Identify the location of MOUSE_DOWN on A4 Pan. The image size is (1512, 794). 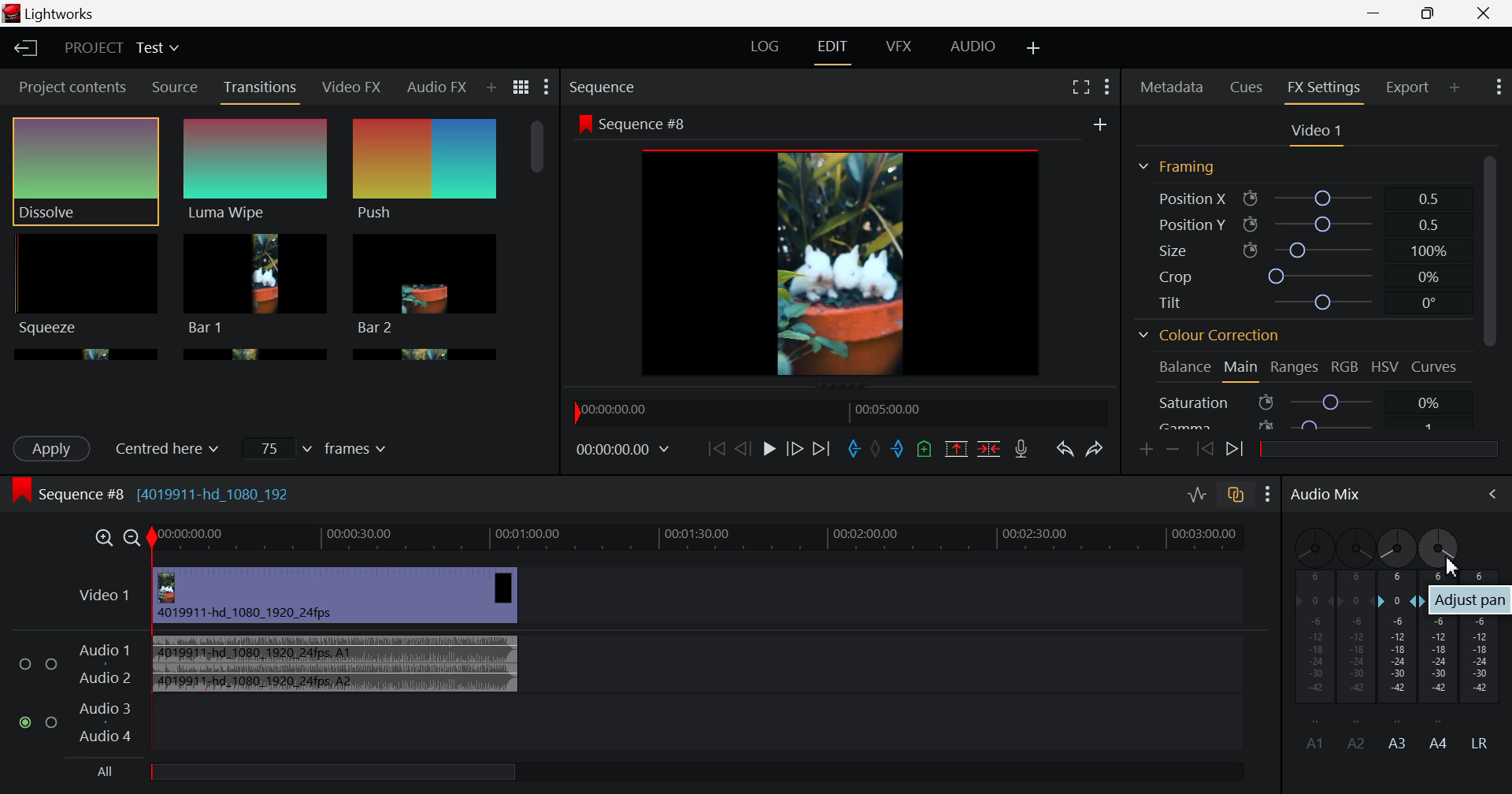
(1443, 550).